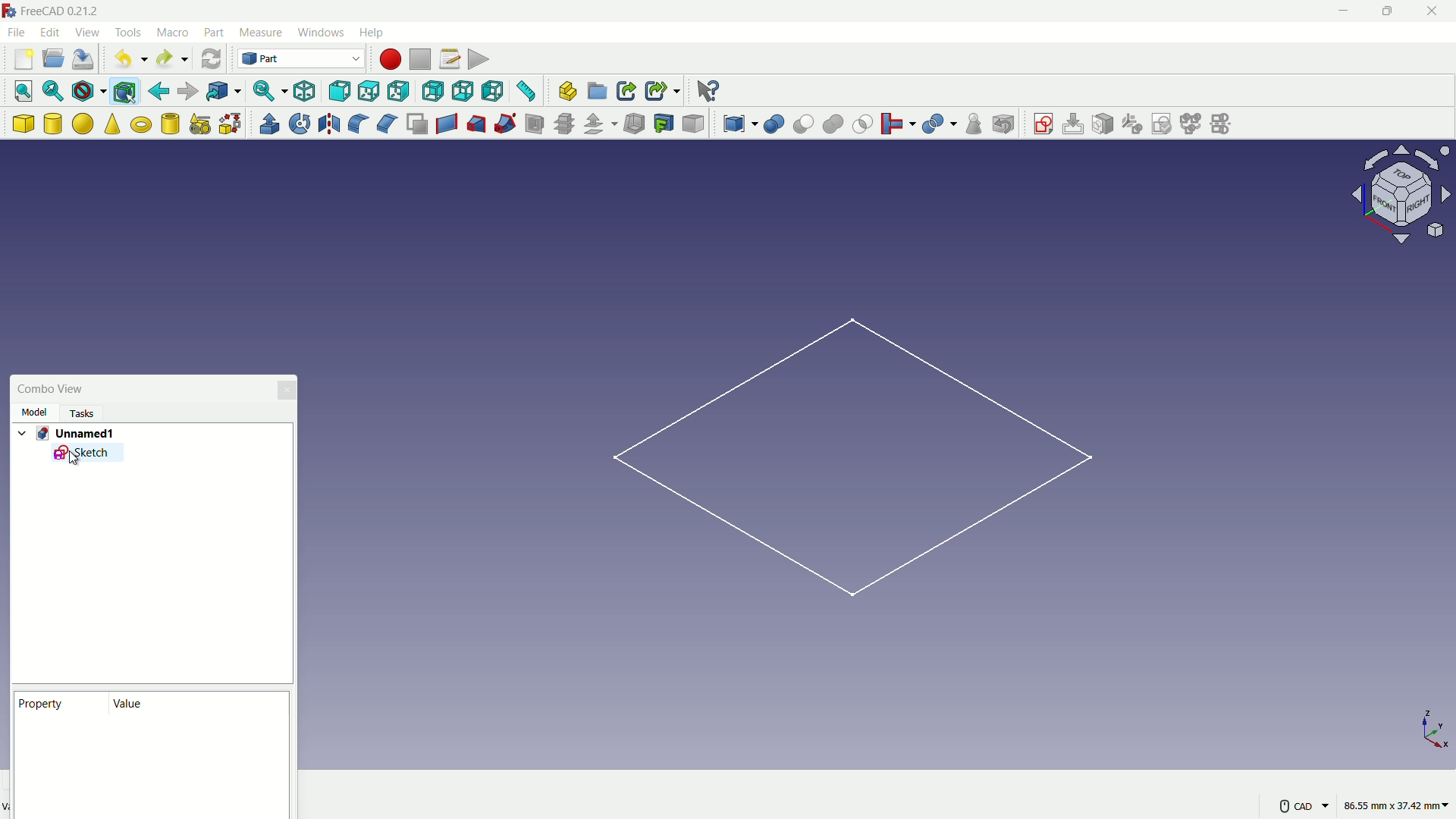 Image resolution: width=1456 pixels, height=819 pixels. Describe the element at coordinates (602, 125) in the screenshot. I see `offset` at that location.